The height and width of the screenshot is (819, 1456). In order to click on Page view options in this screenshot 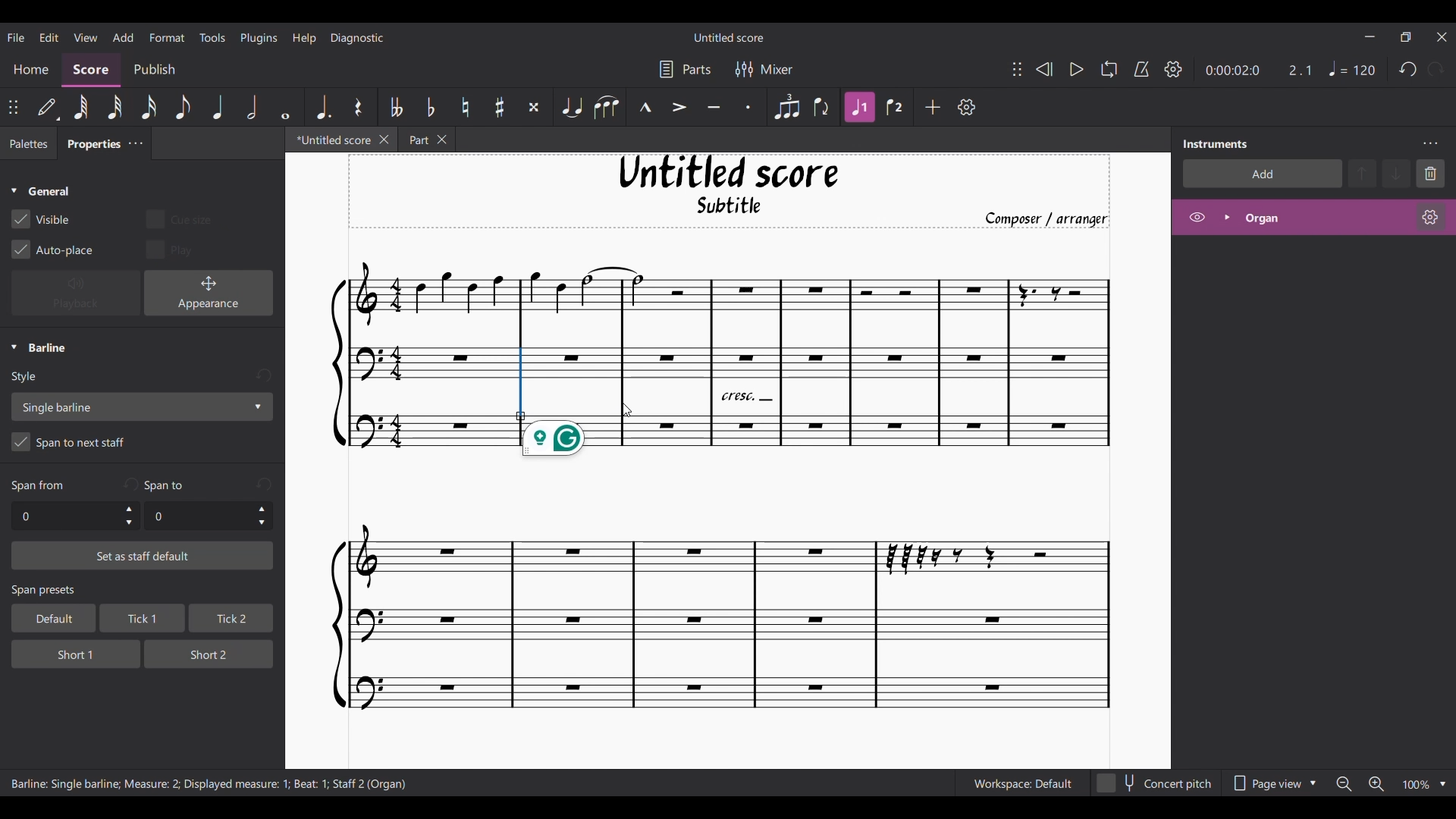, I will do `click(1271, 783)`.